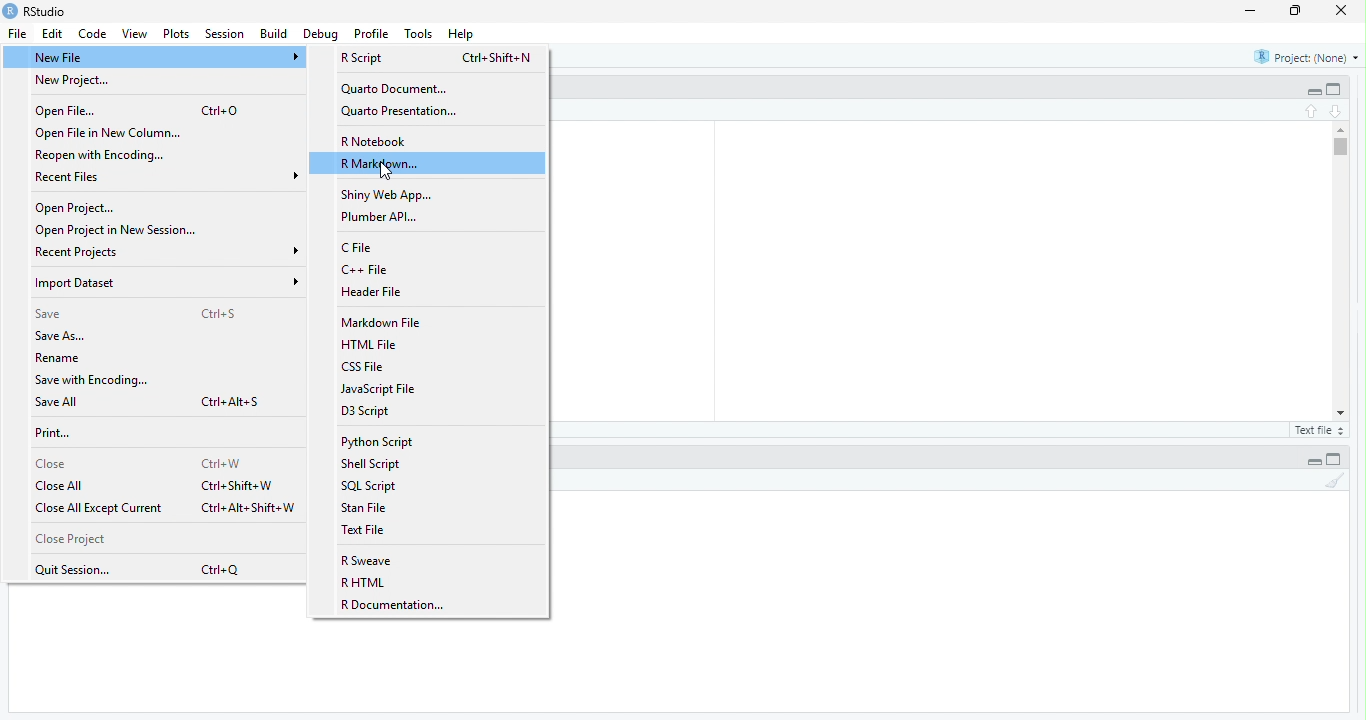 Image resolution: width=1366 pixels, height=720 pixels. Describe the element at coordinates (360, 248) in the screenshot. I see `C File` at that location.